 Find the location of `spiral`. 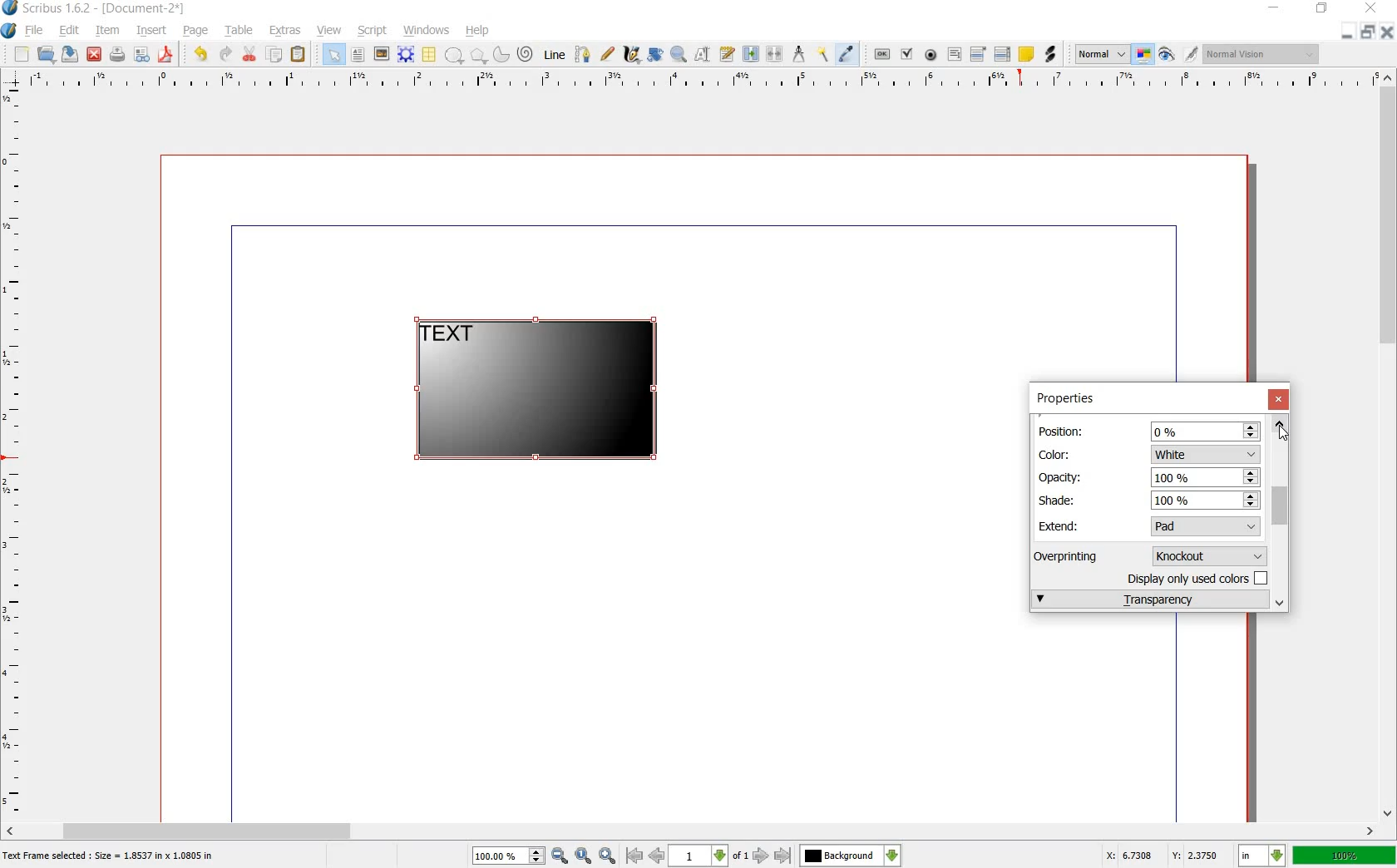

spiral is located at coordinates (526, 53).